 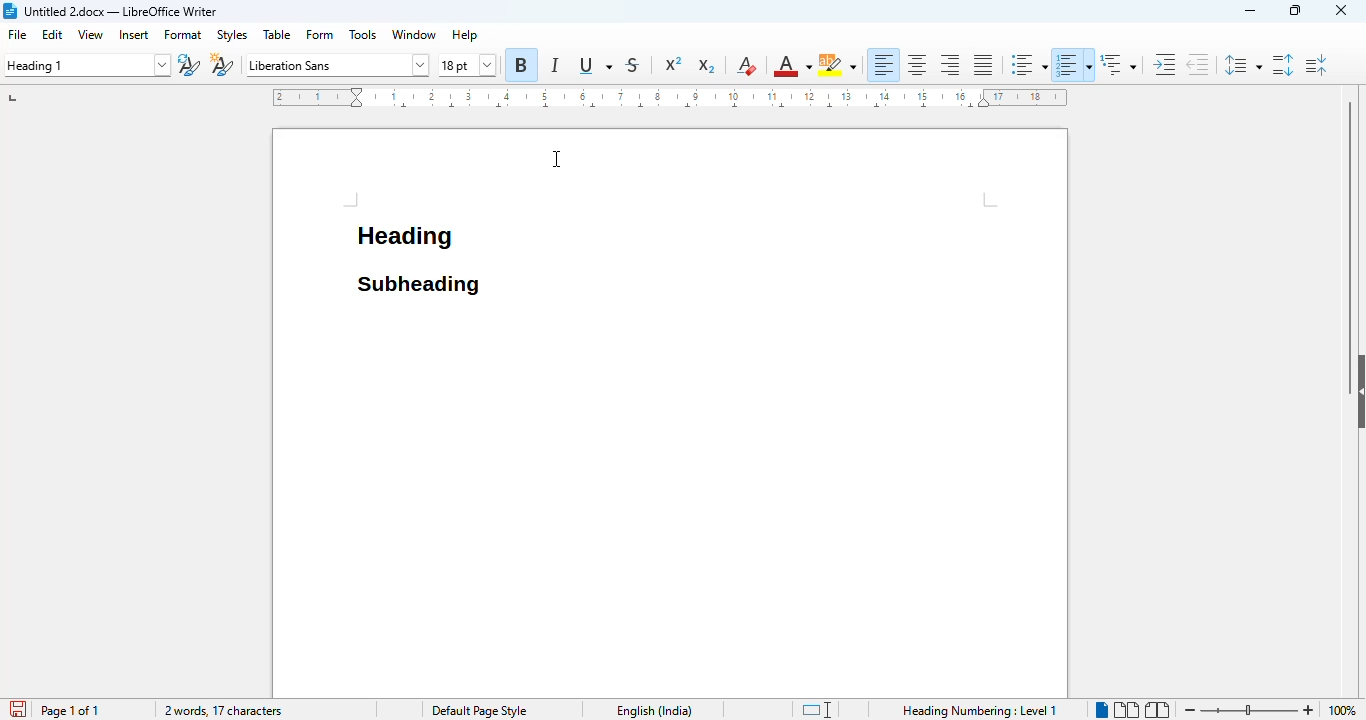 I want to click on single-page view, so click(x=1101, y=708).